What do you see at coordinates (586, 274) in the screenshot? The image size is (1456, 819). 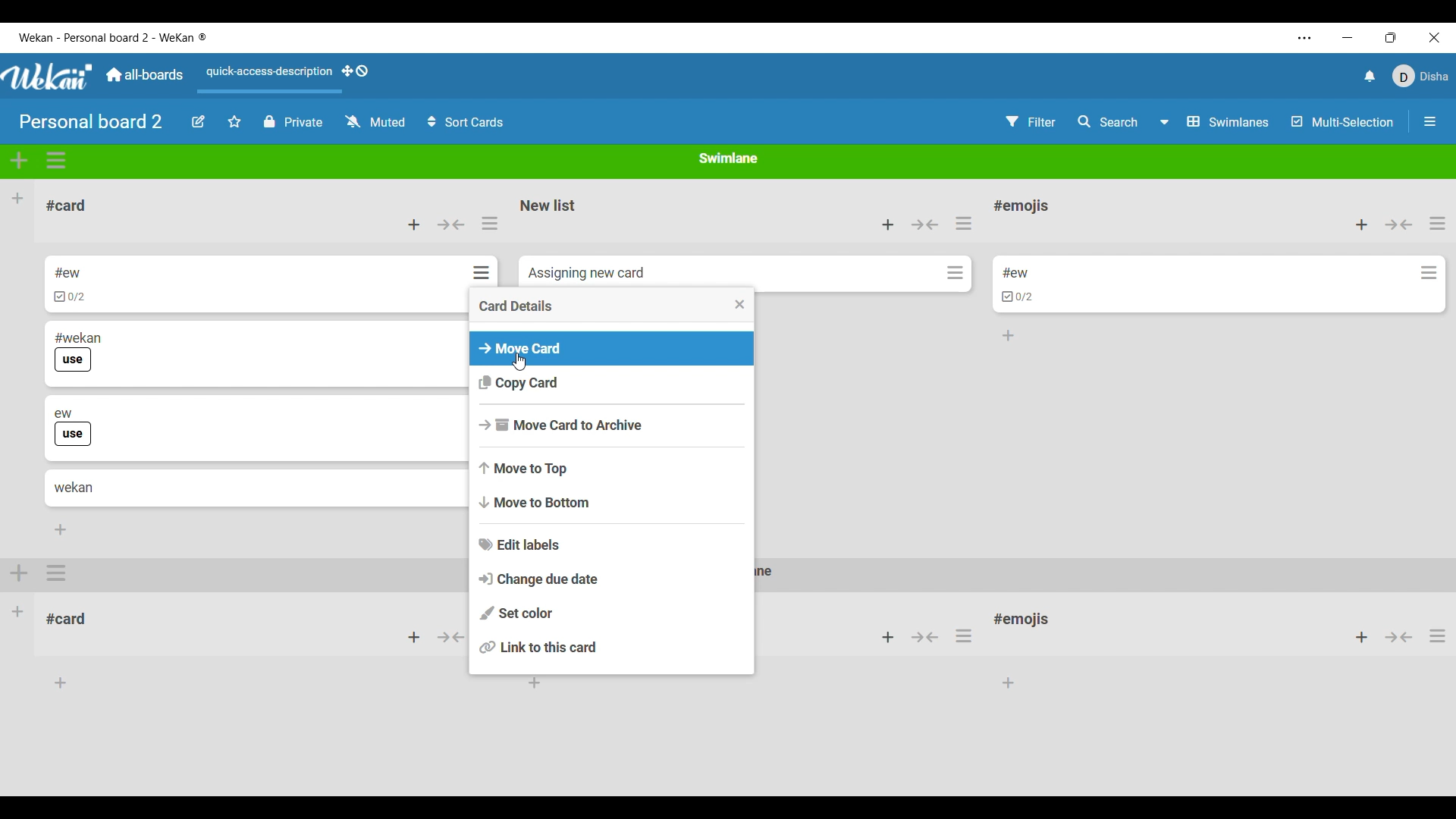 I see `Card name` at bounding box center [586, 274].